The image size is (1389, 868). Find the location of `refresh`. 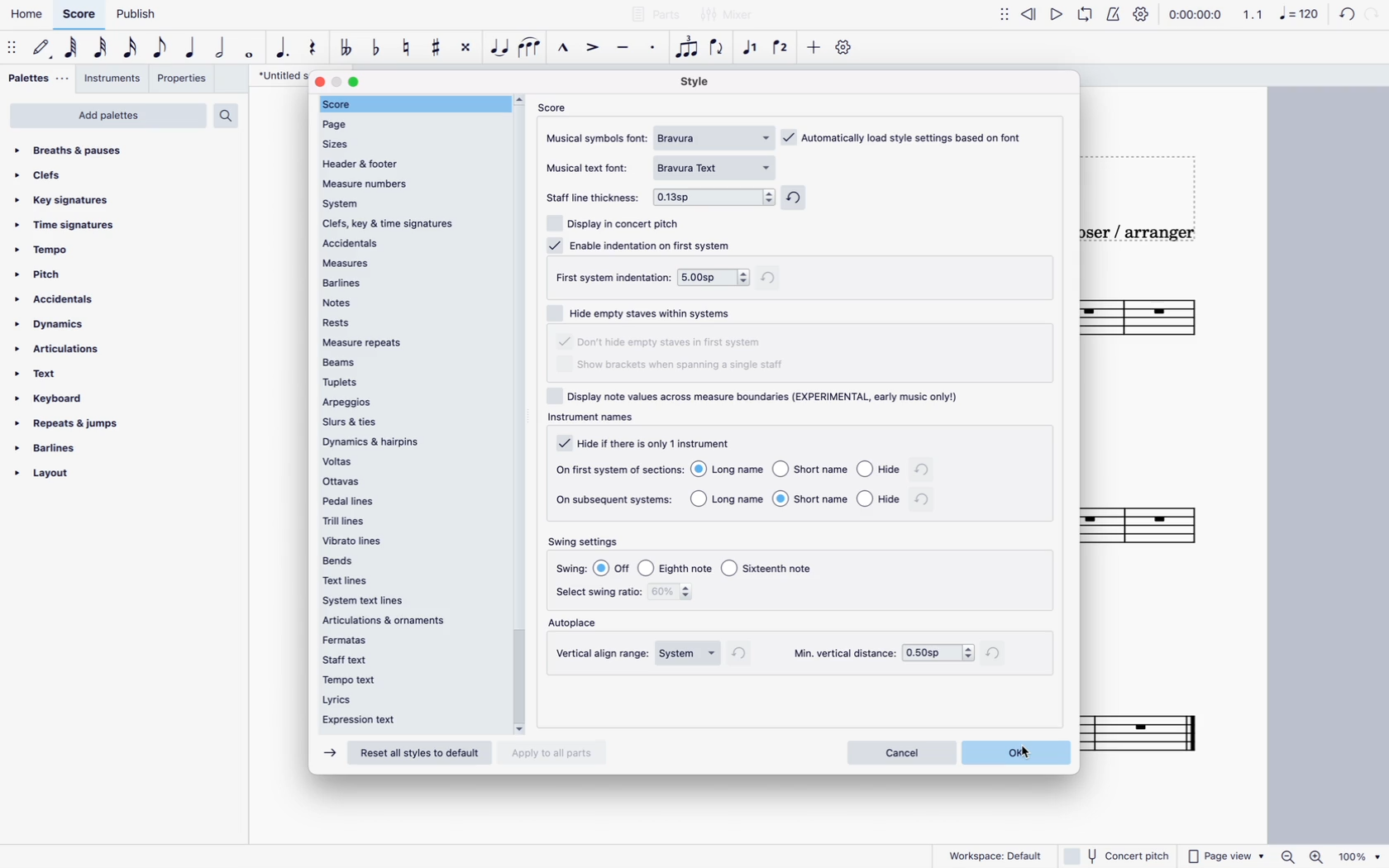

refresh is located at coordinates (997, 652).